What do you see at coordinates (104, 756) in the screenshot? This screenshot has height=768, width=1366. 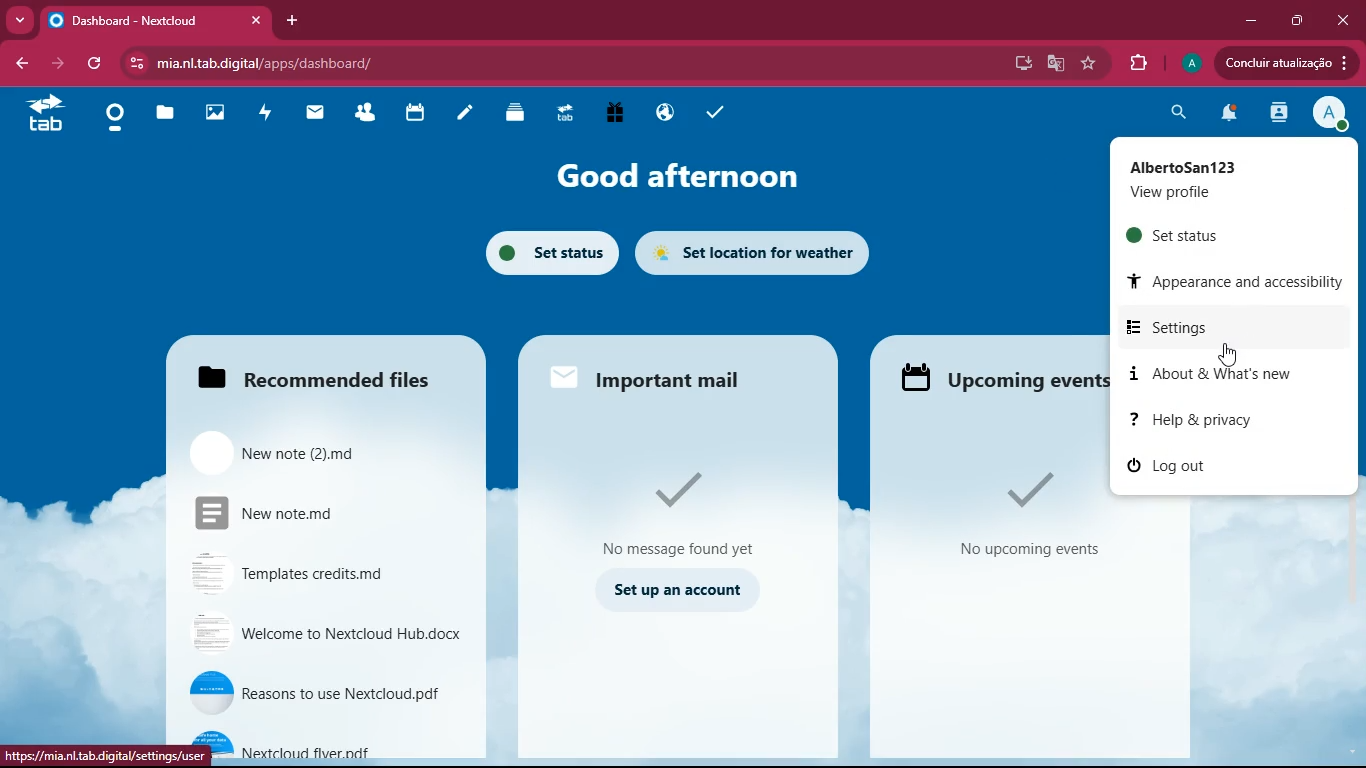 I see `https://mia.nl.tab.digital/settings/user` at bounding box center [104, 756].